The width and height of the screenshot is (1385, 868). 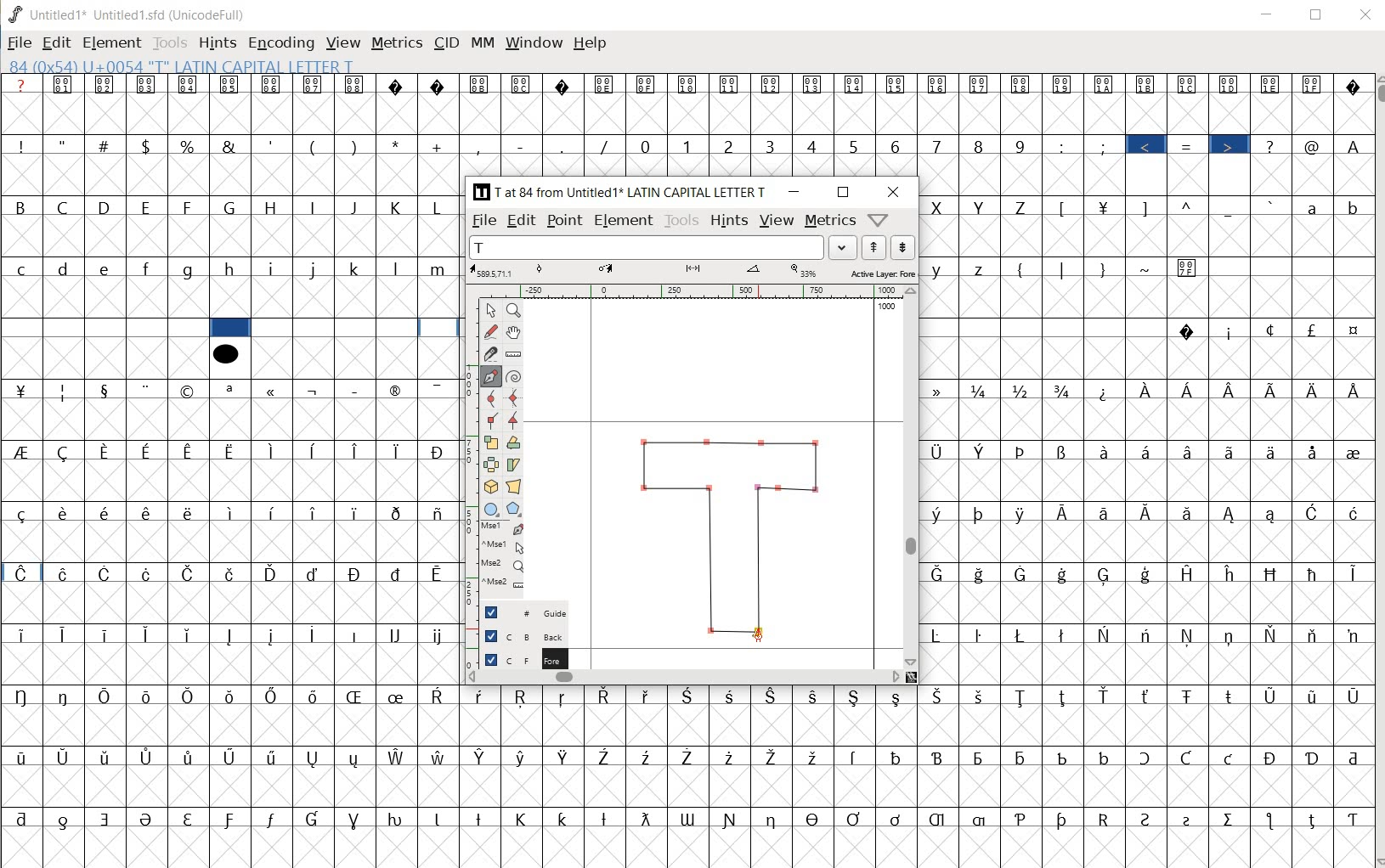 I want to click on Symbol, so click(x=565, y=757).